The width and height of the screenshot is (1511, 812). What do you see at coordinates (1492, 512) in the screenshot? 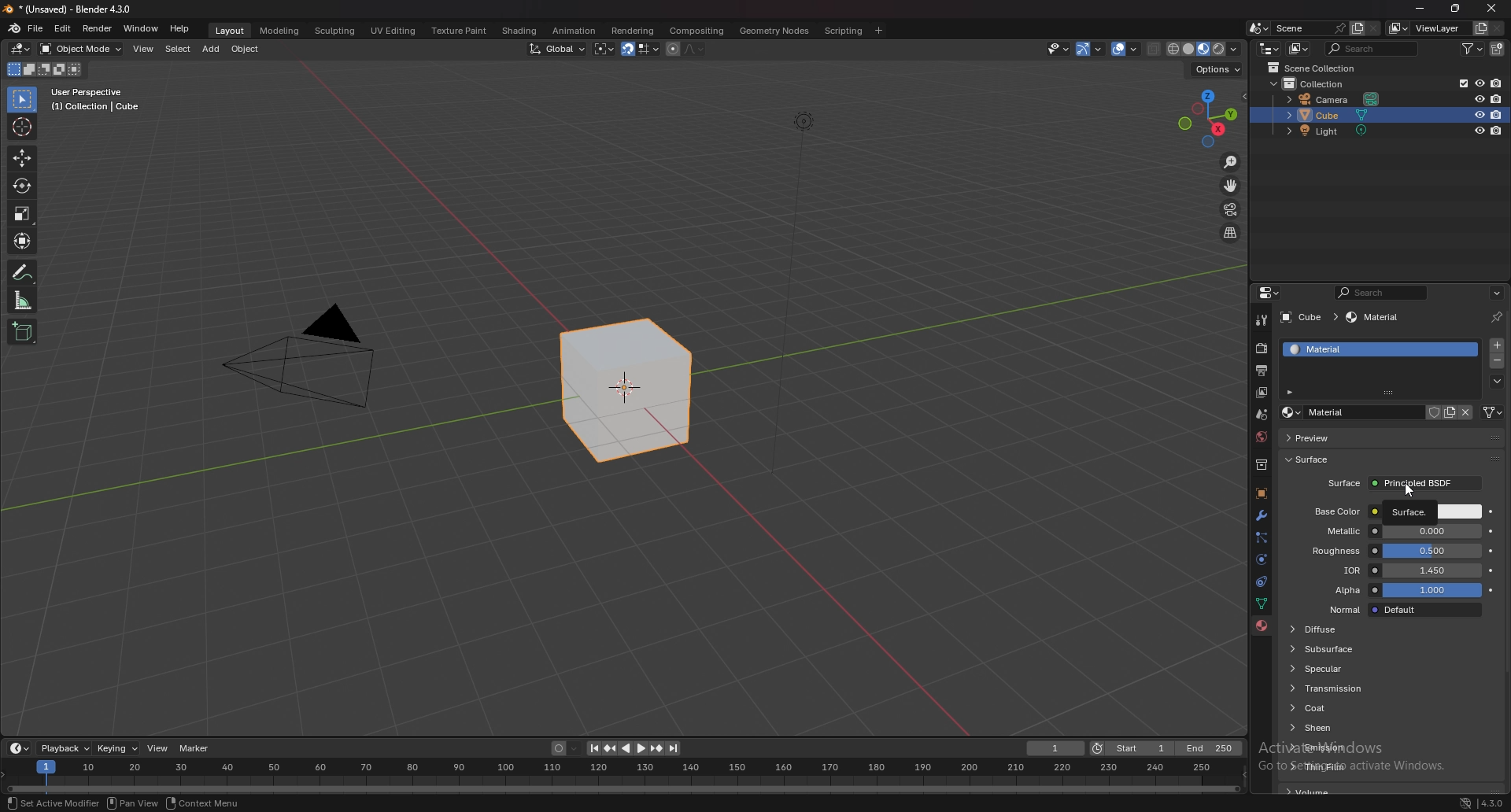
I see `animate property` at bounding box center [1492, 512].